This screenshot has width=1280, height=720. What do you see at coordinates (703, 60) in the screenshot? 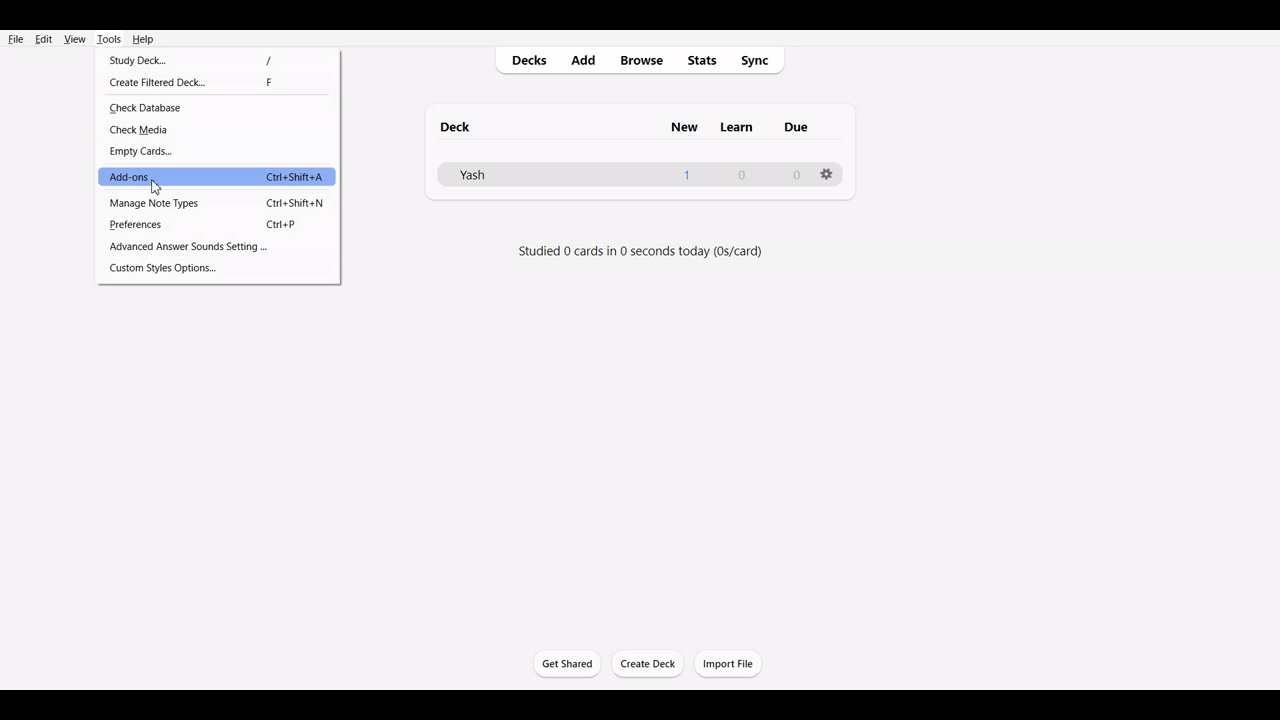
I see `Stats` at bounding box center [703, 60].